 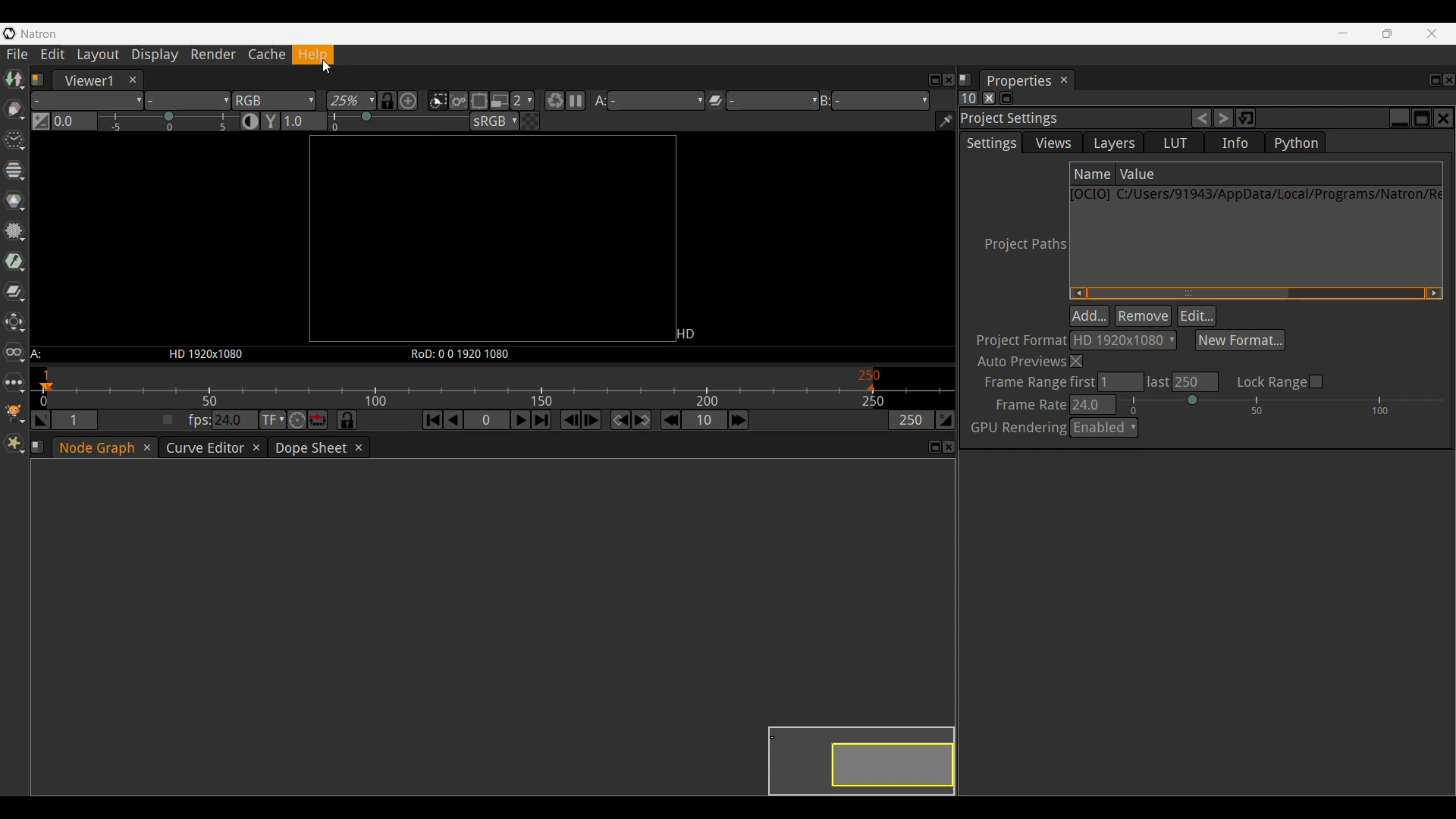 I want to click on Show interface in a smaller tab, so click(x=1388, y=34).